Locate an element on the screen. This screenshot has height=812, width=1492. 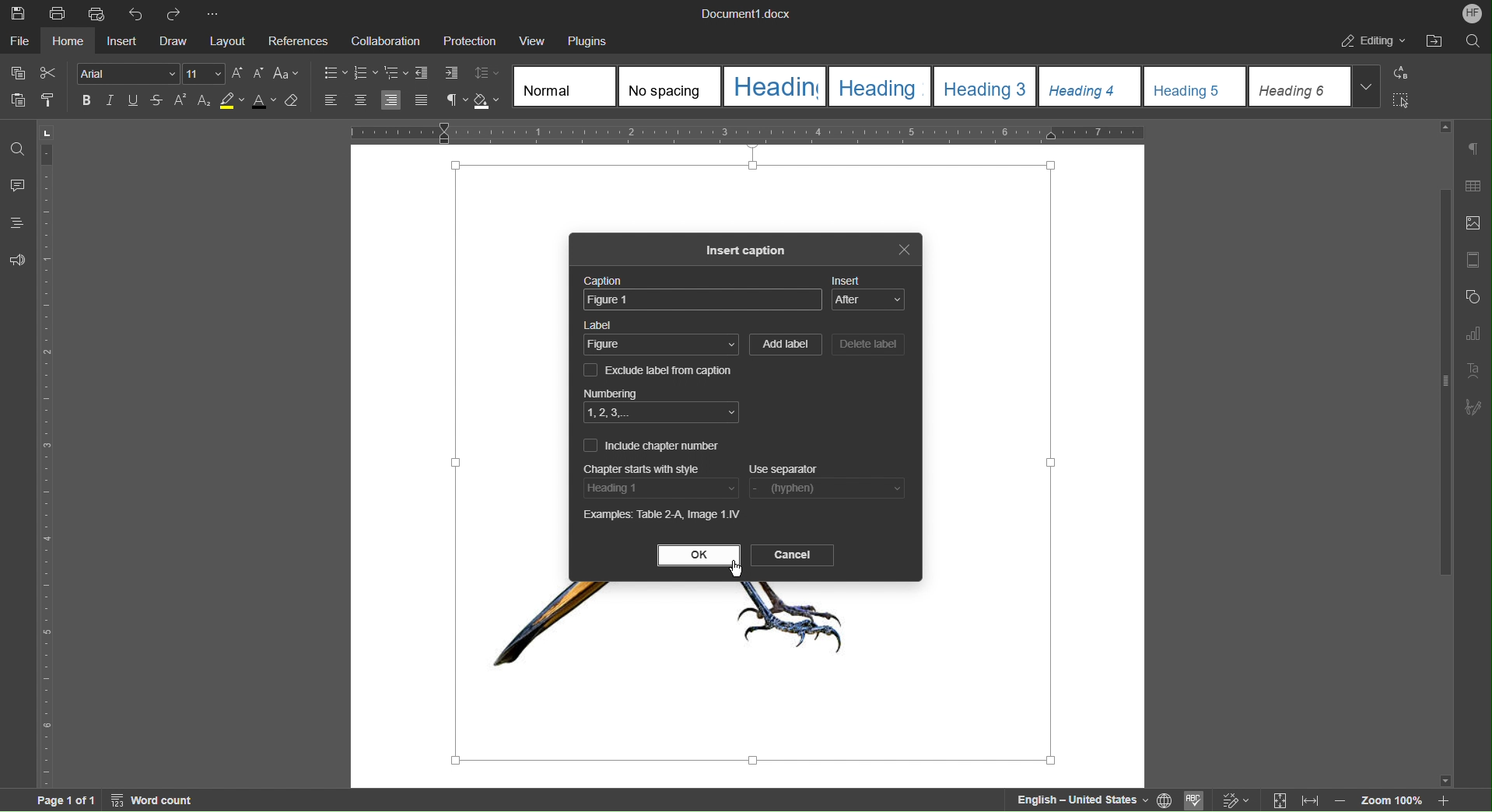
Erase Style is located at coordinates (296, 102).